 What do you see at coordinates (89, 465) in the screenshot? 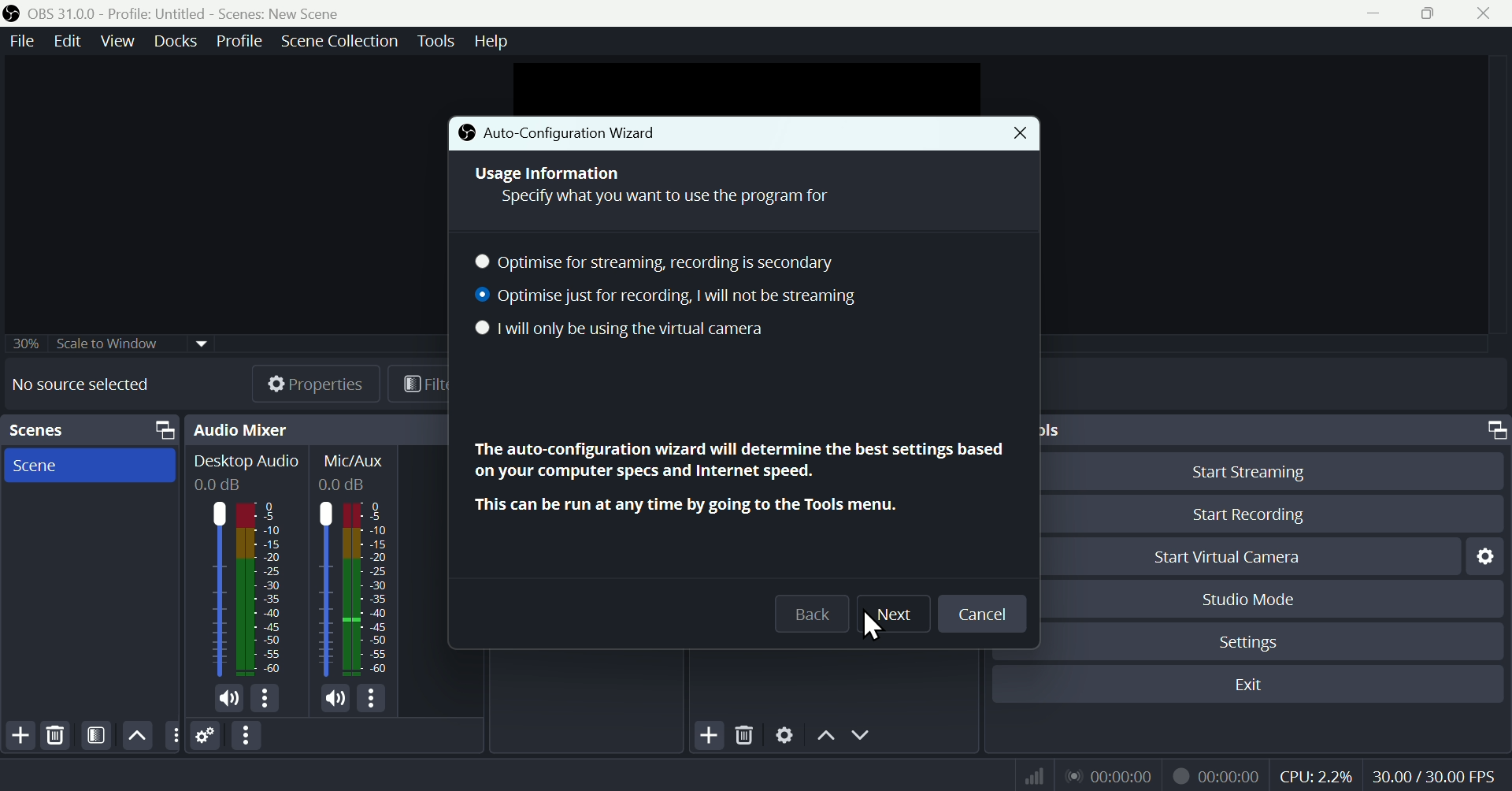
I see `Scene` at bounding box center [89, 465].